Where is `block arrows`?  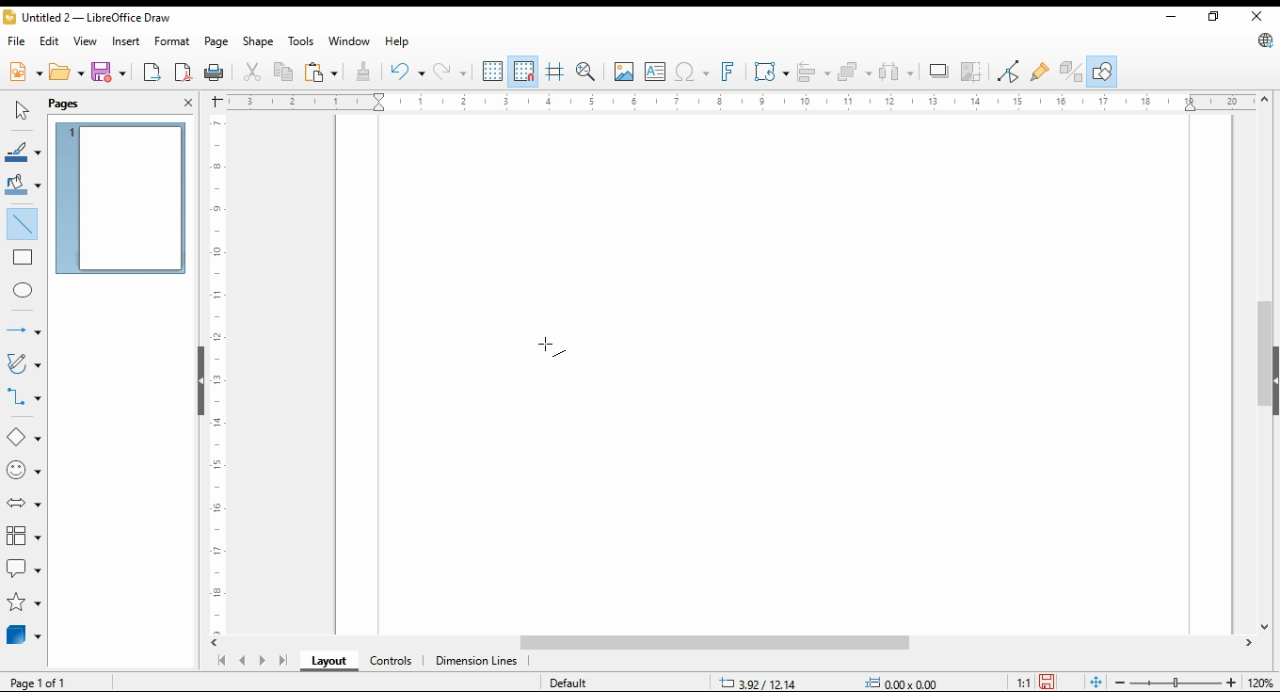
block arrows is located at coordinates (26, 503).